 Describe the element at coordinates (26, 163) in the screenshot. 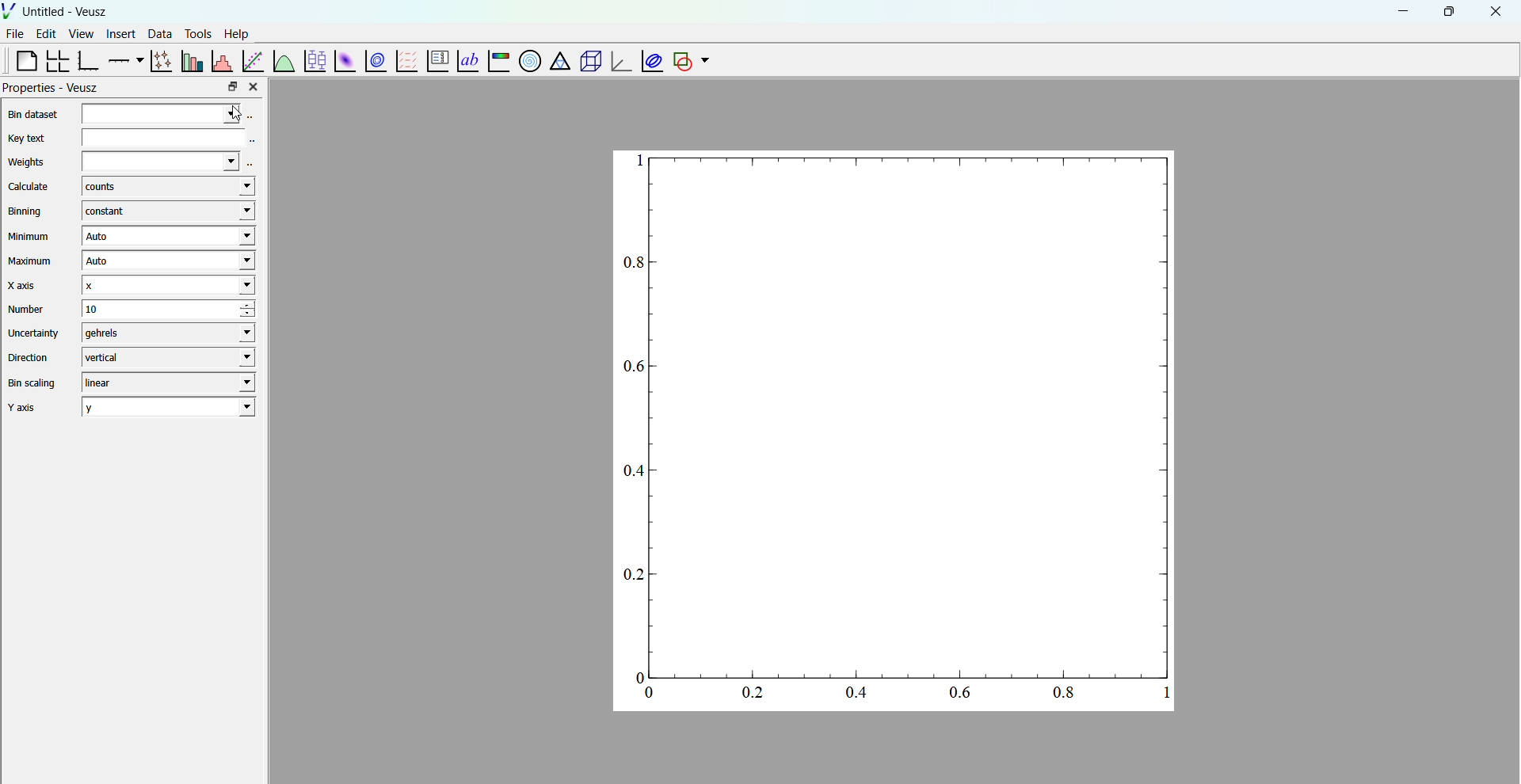

I see `Weights` at that location.